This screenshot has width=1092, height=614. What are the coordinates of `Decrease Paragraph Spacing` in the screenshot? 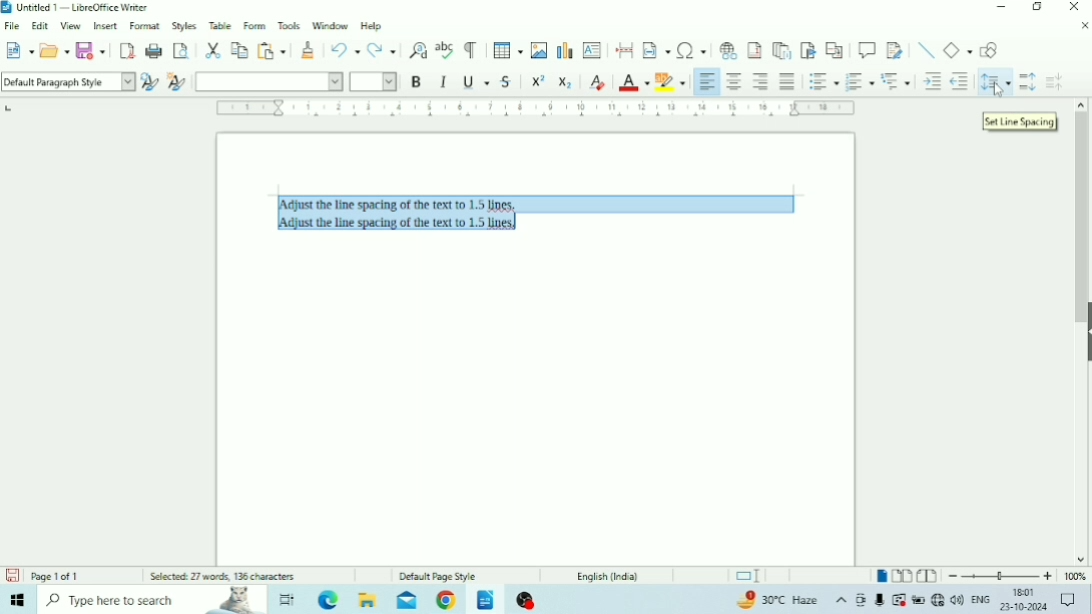 It's located at (1054, 83).